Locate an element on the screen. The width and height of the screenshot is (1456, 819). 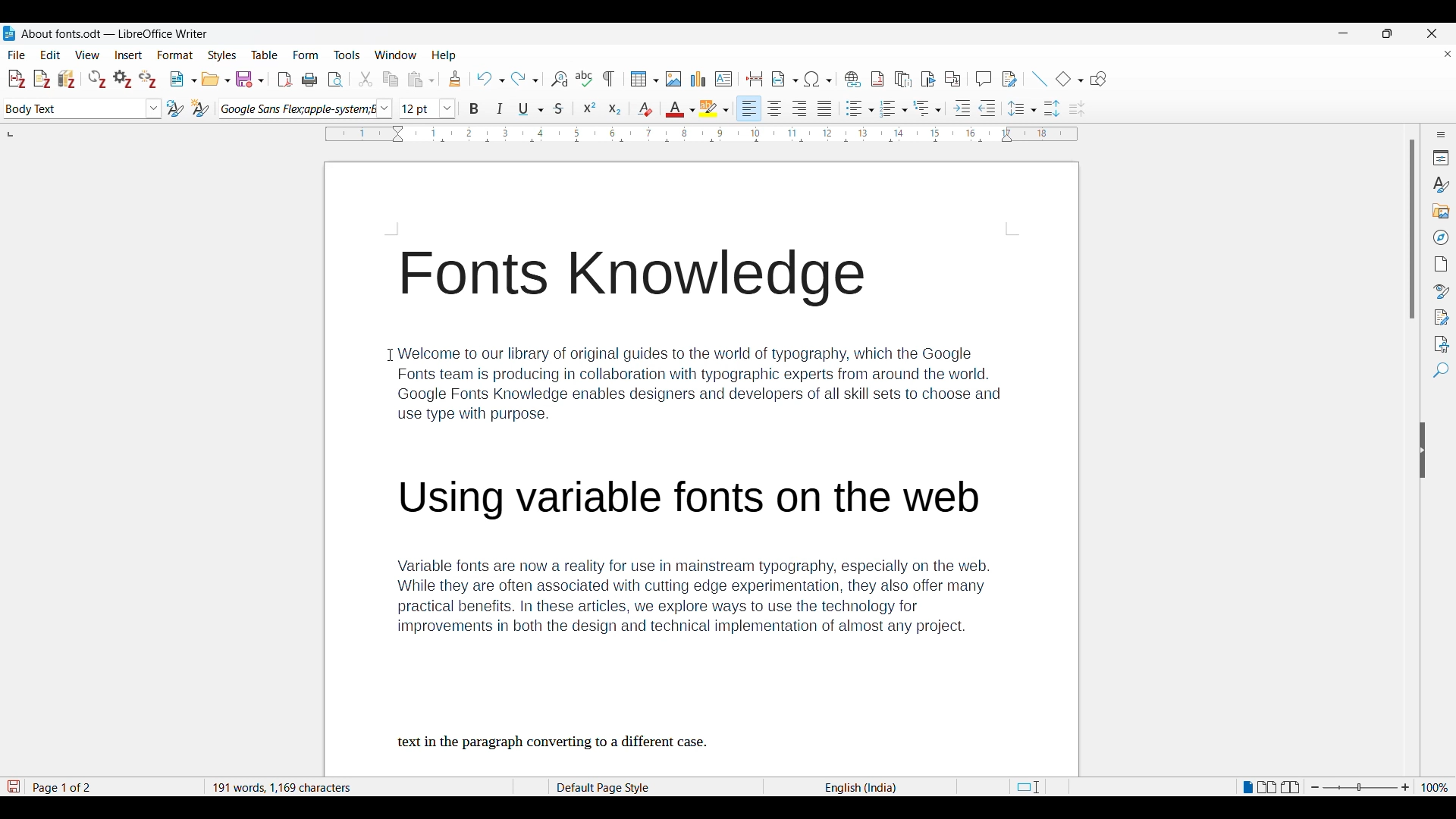
Page is located at coordinates (1442, 264).